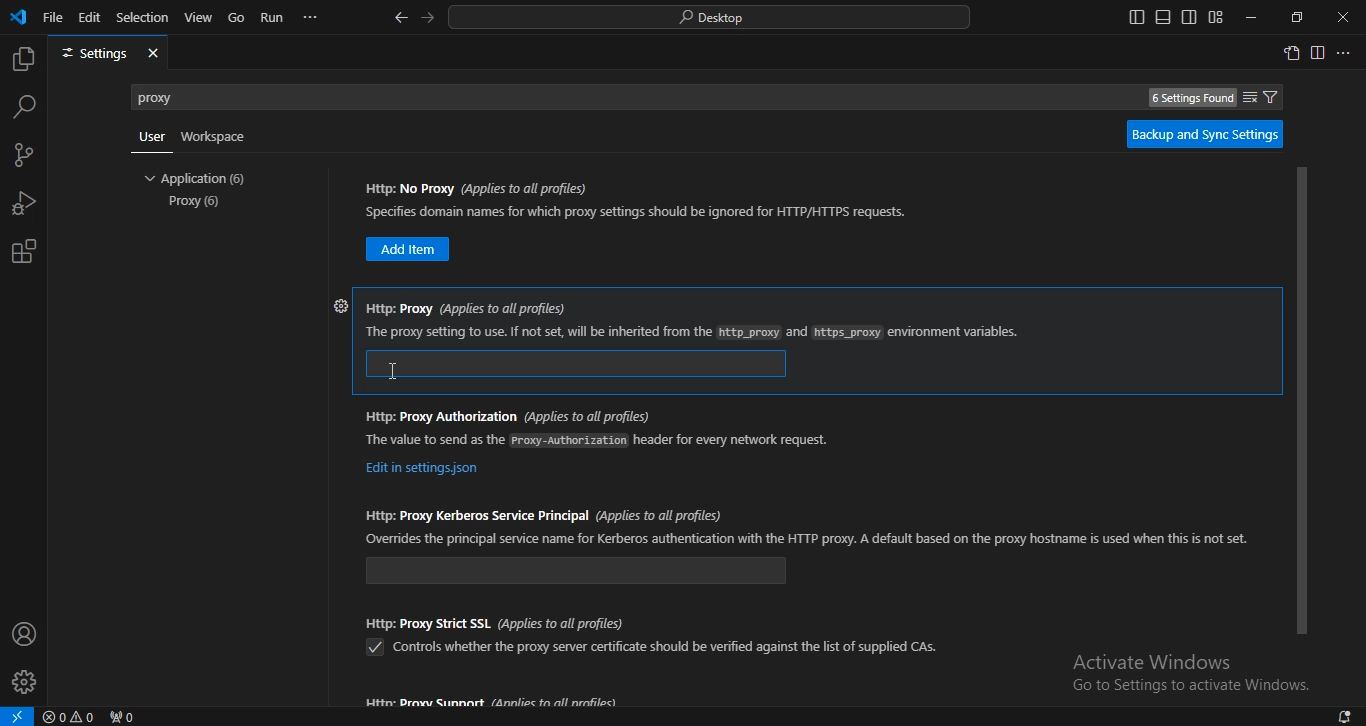  I want to click on Settings icon, so click(338, 305).